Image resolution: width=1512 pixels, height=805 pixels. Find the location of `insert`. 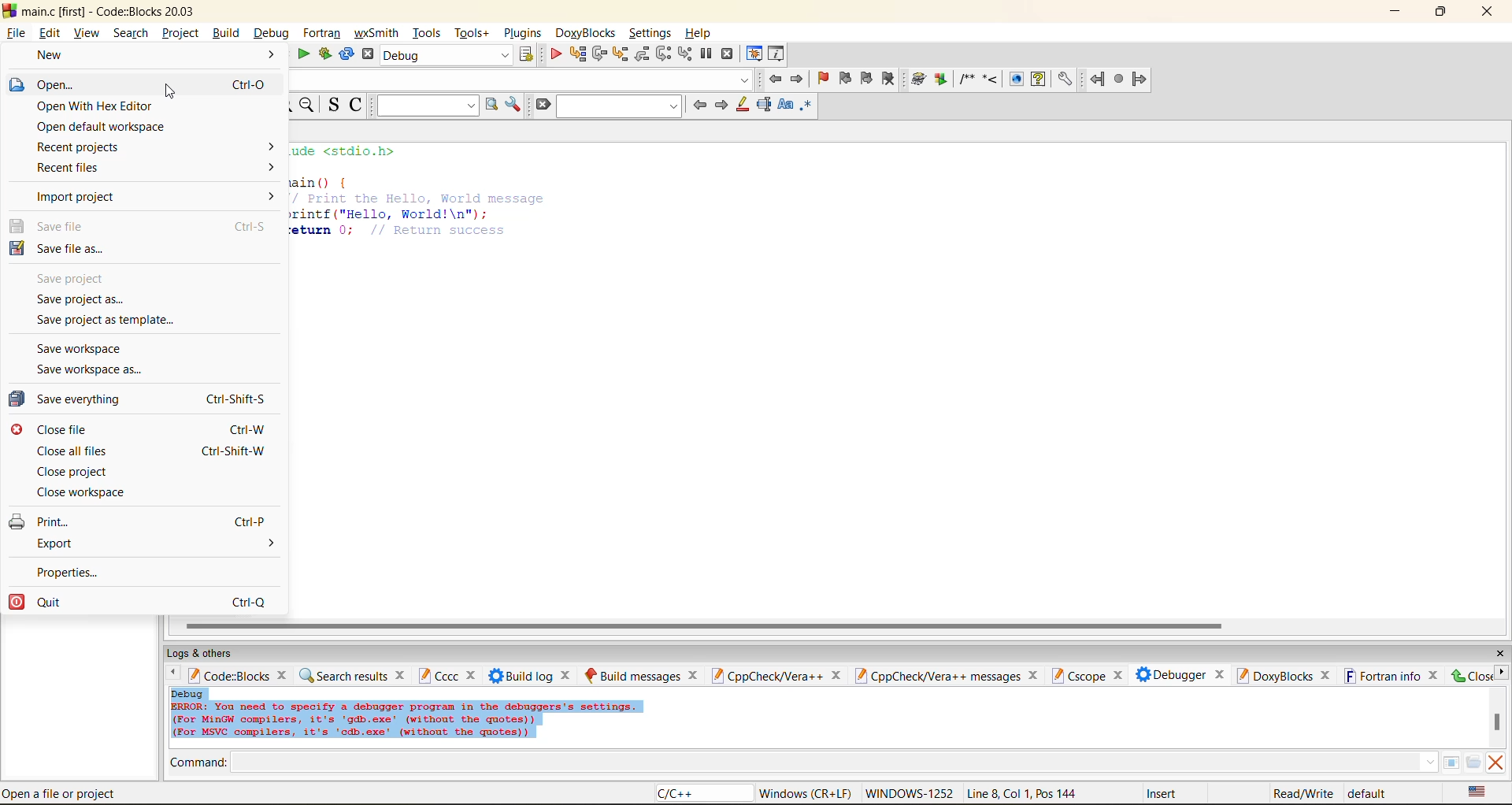

insert is located at coordinates (1165, 793).